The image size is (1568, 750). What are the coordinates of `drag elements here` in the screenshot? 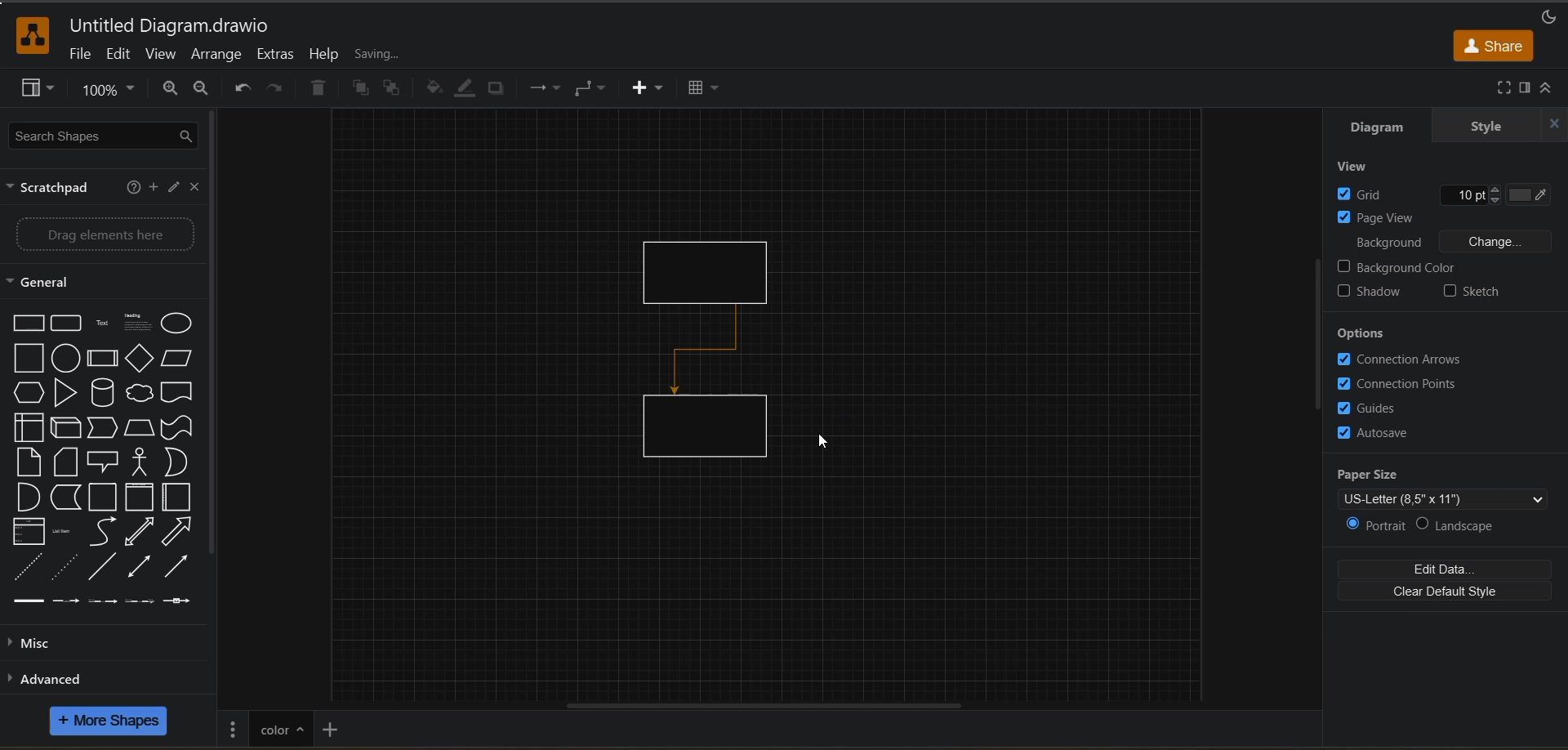 It's located at (109, 234).